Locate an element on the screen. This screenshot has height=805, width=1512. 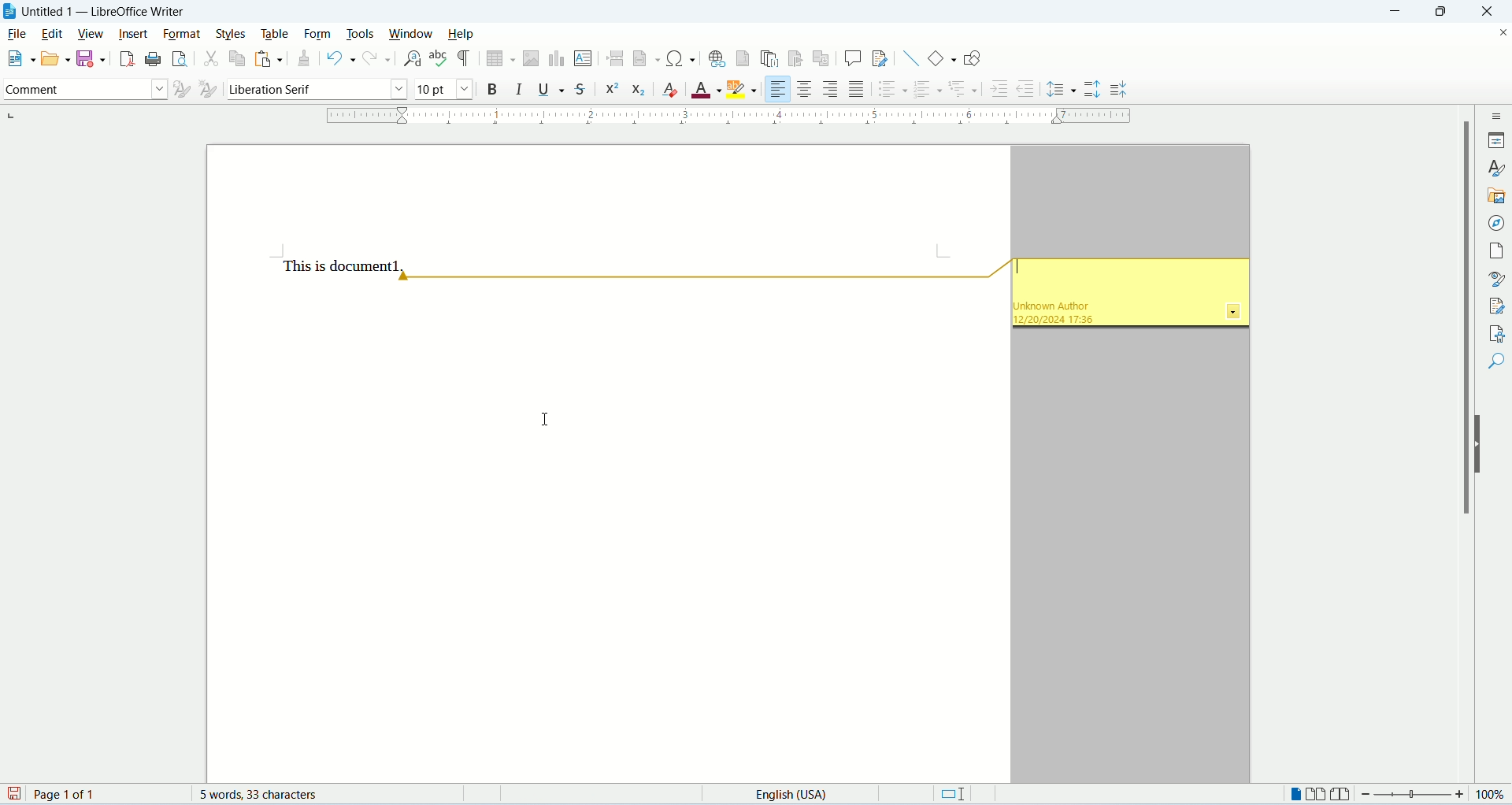
standard selection is located at coordinates (957, 793).